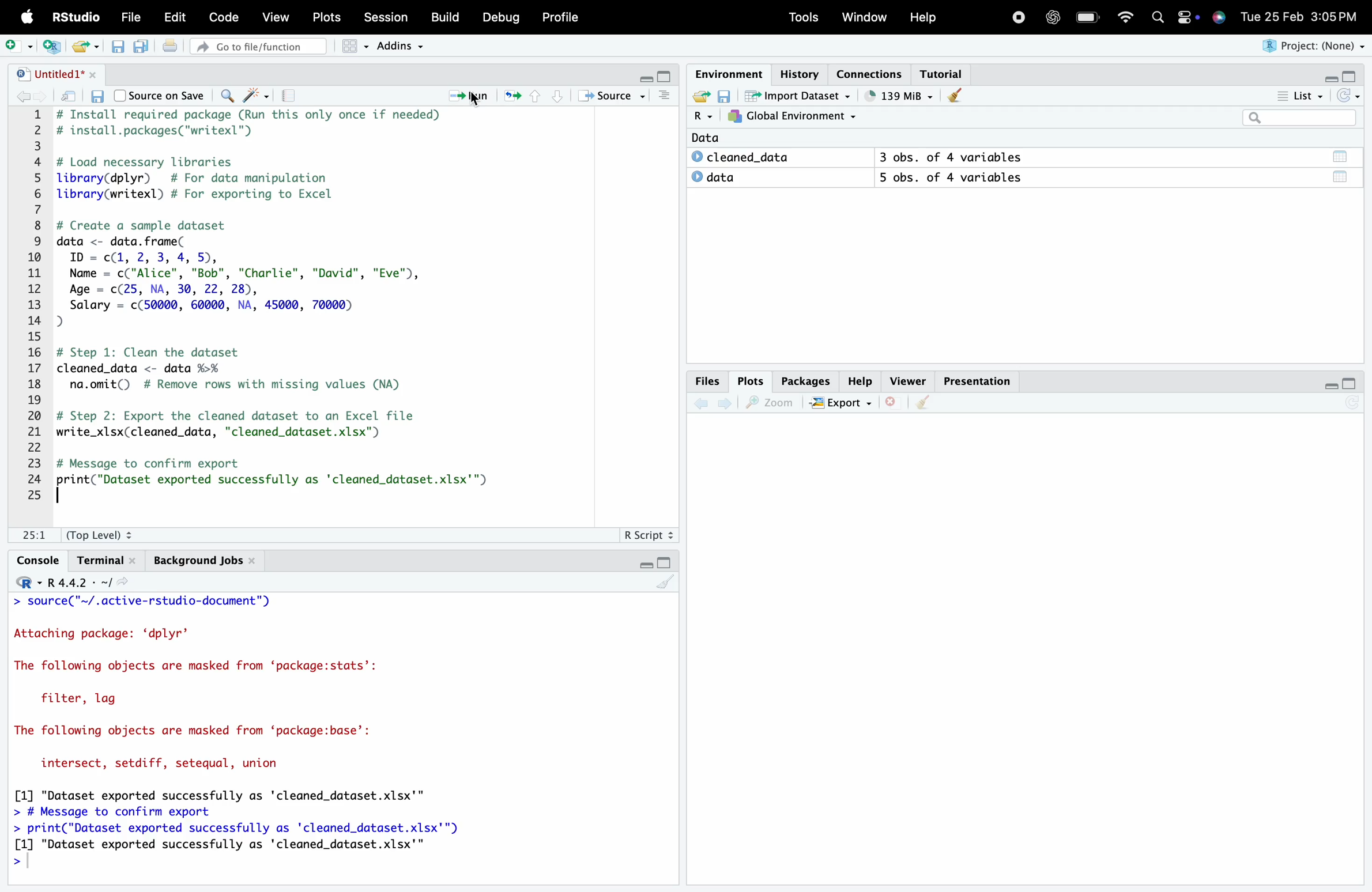  Describe the element at coordinates (924, 17) in the screenshot. I see `Help` at that location.